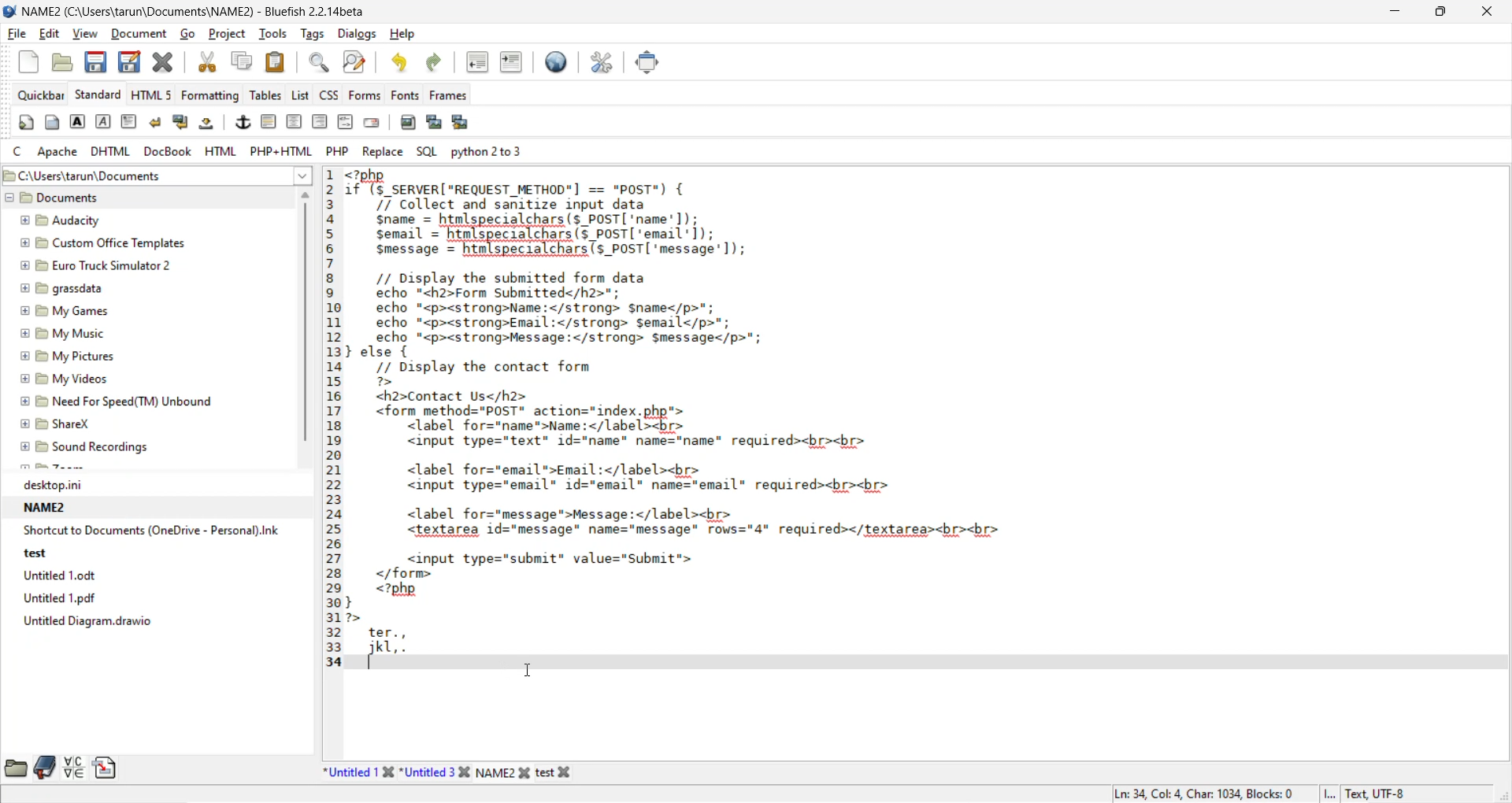 Image resolution: width=1512 pixels, height=803 pixels. What do you see at coordinates (209, 96) in the screenshot?
I see `formatting` at bounding box center [209, 96].